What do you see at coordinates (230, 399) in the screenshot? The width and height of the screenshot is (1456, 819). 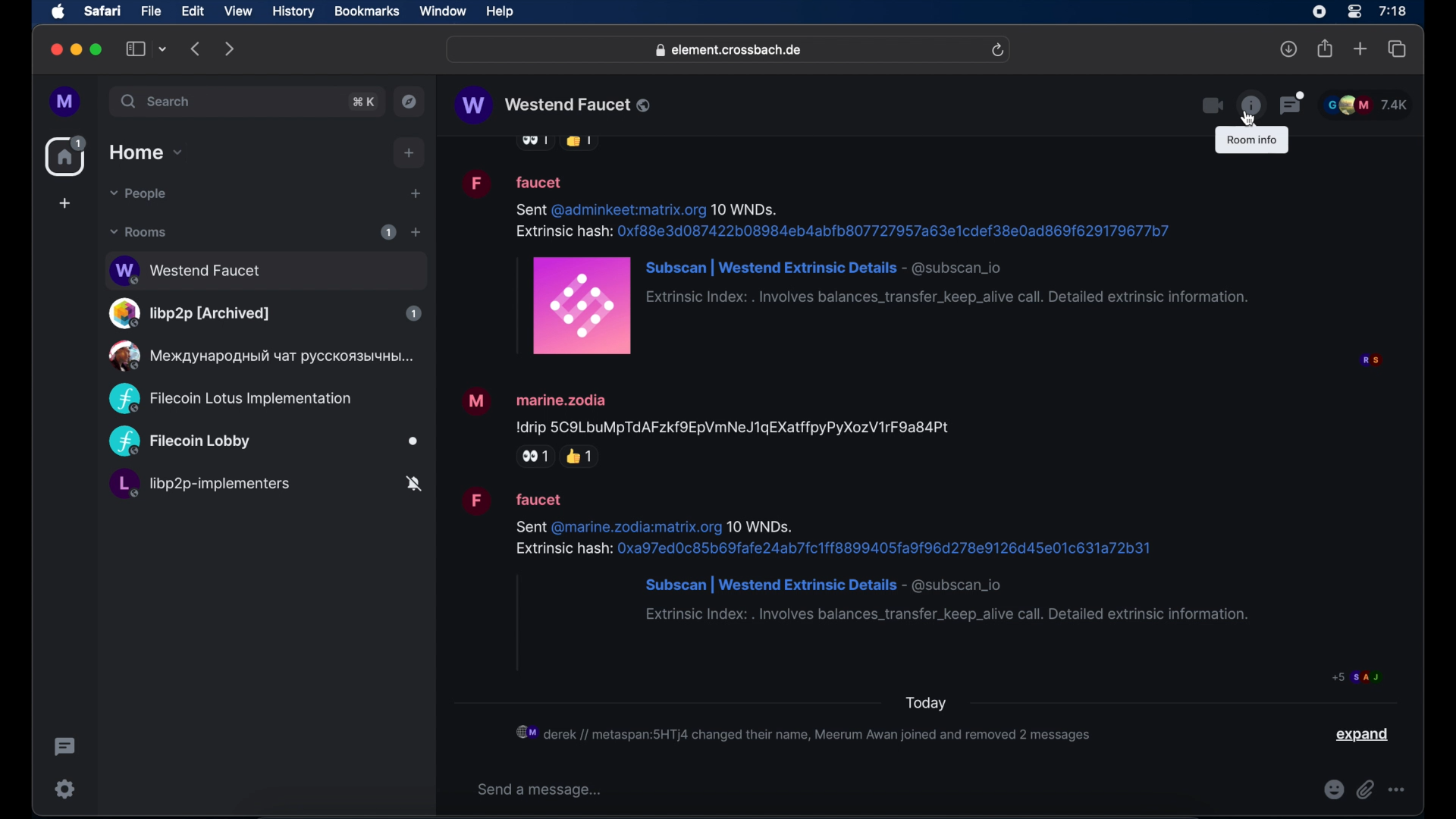 I see `public room` at bounding box center [230, 399].